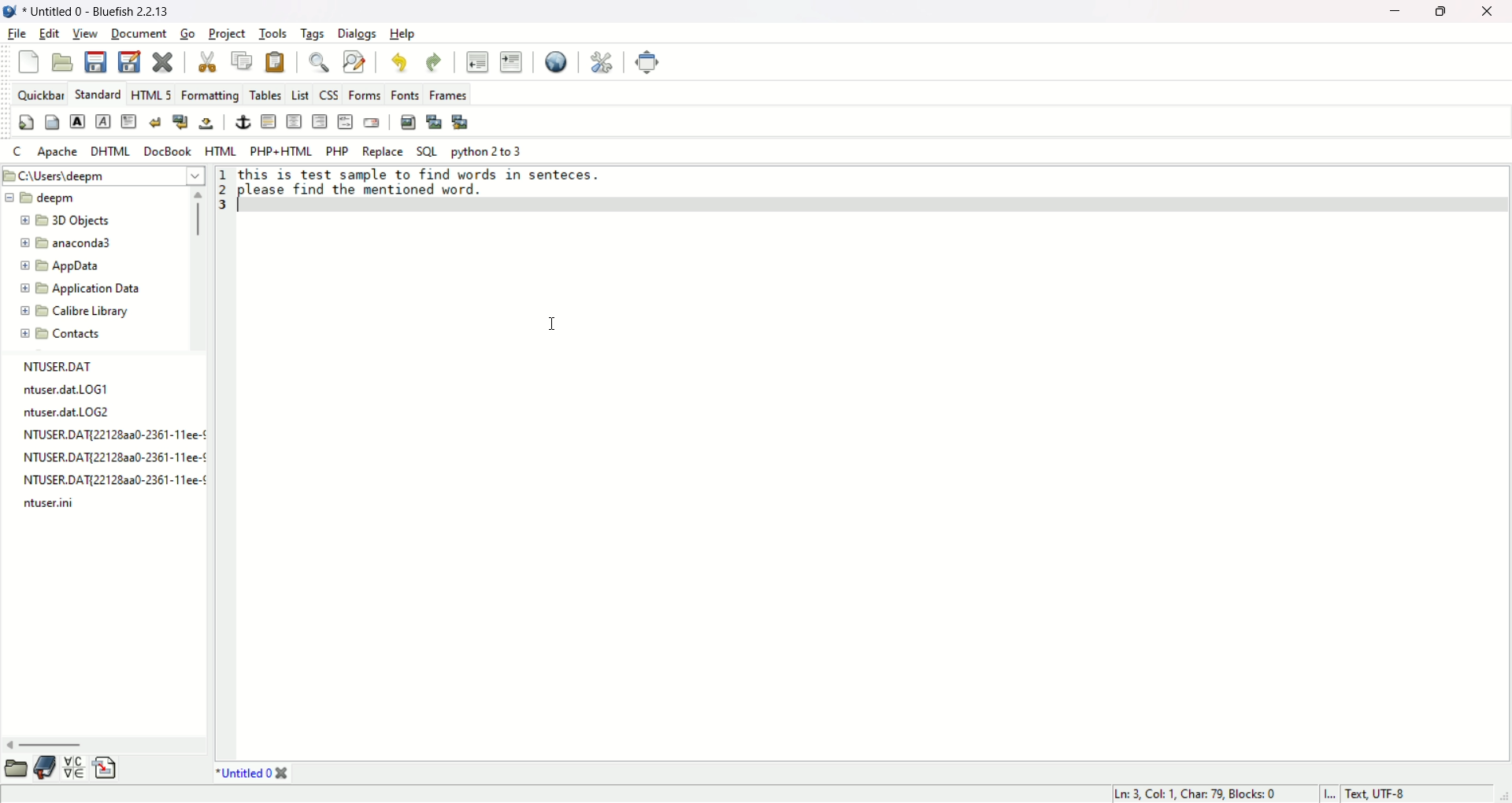 Image resolution: width=1512 pixels, height=803 pixels. What do you see at coordinates (328, 94) in the screenshot?
I see `CSS` at bounding box center [328, 94].